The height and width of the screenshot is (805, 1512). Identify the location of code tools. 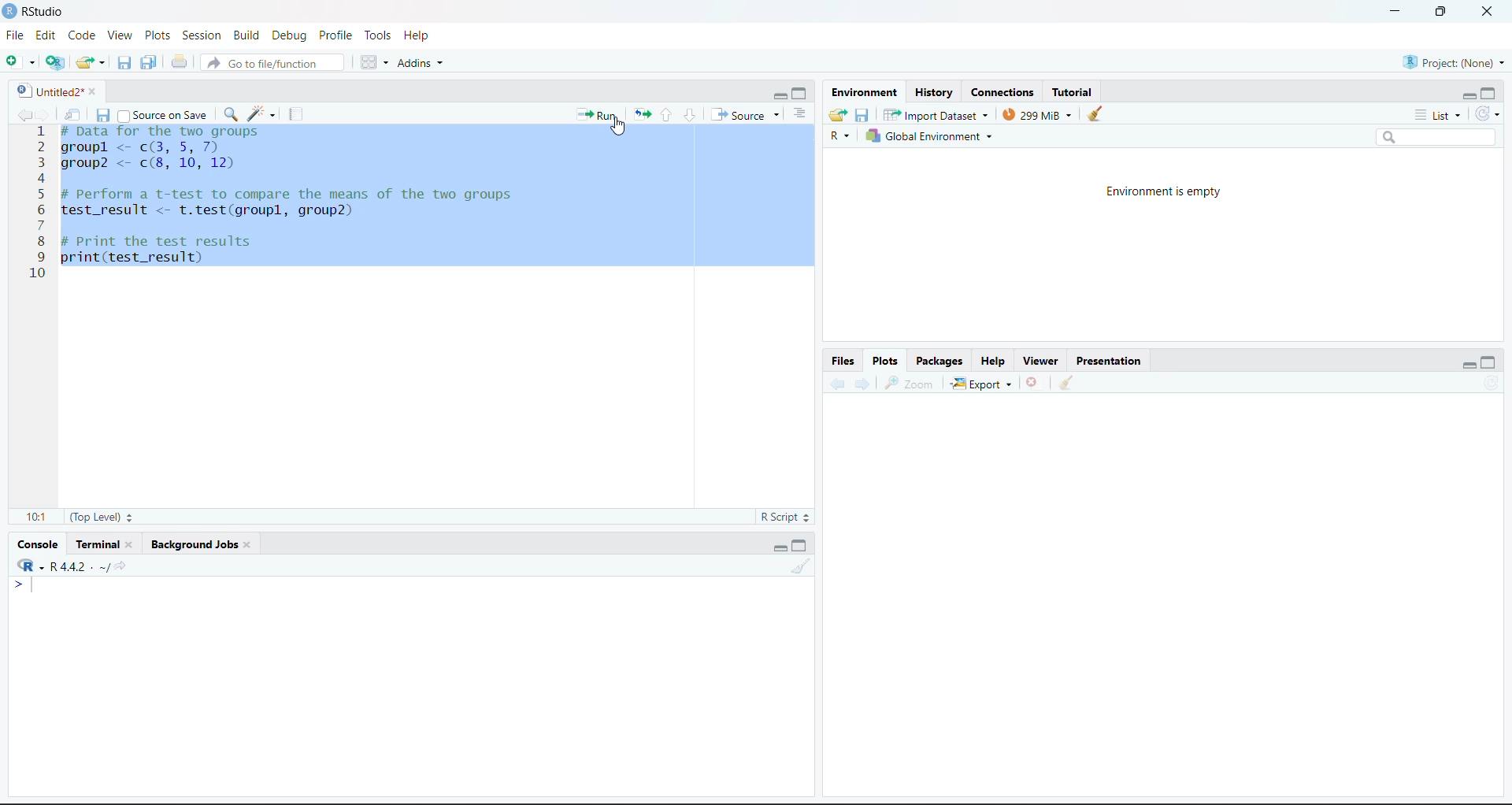
(261, 113).